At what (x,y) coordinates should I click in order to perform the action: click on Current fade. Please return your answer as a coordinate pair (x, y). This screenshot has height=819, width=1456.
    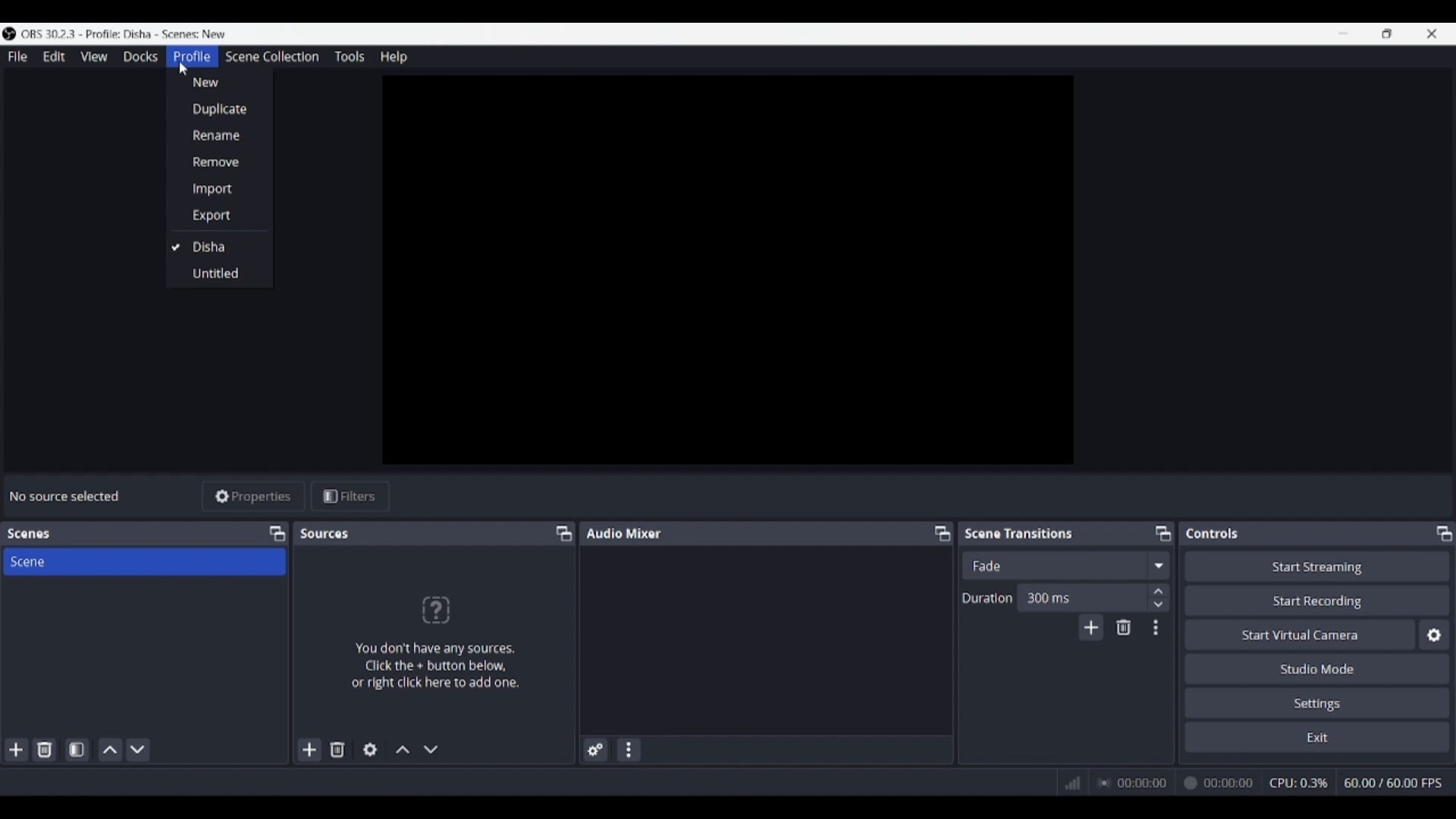
    Looking at the image, I should click on (1053, 565).